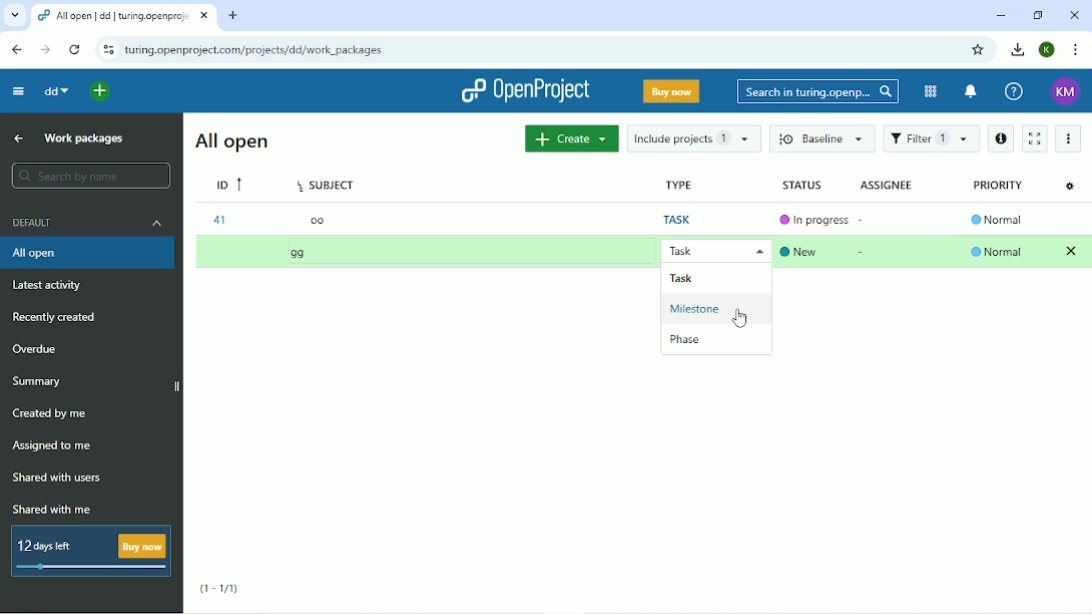  Describe the element at coordinates (688, 279) in the screenshot. I see `Task` at that location.